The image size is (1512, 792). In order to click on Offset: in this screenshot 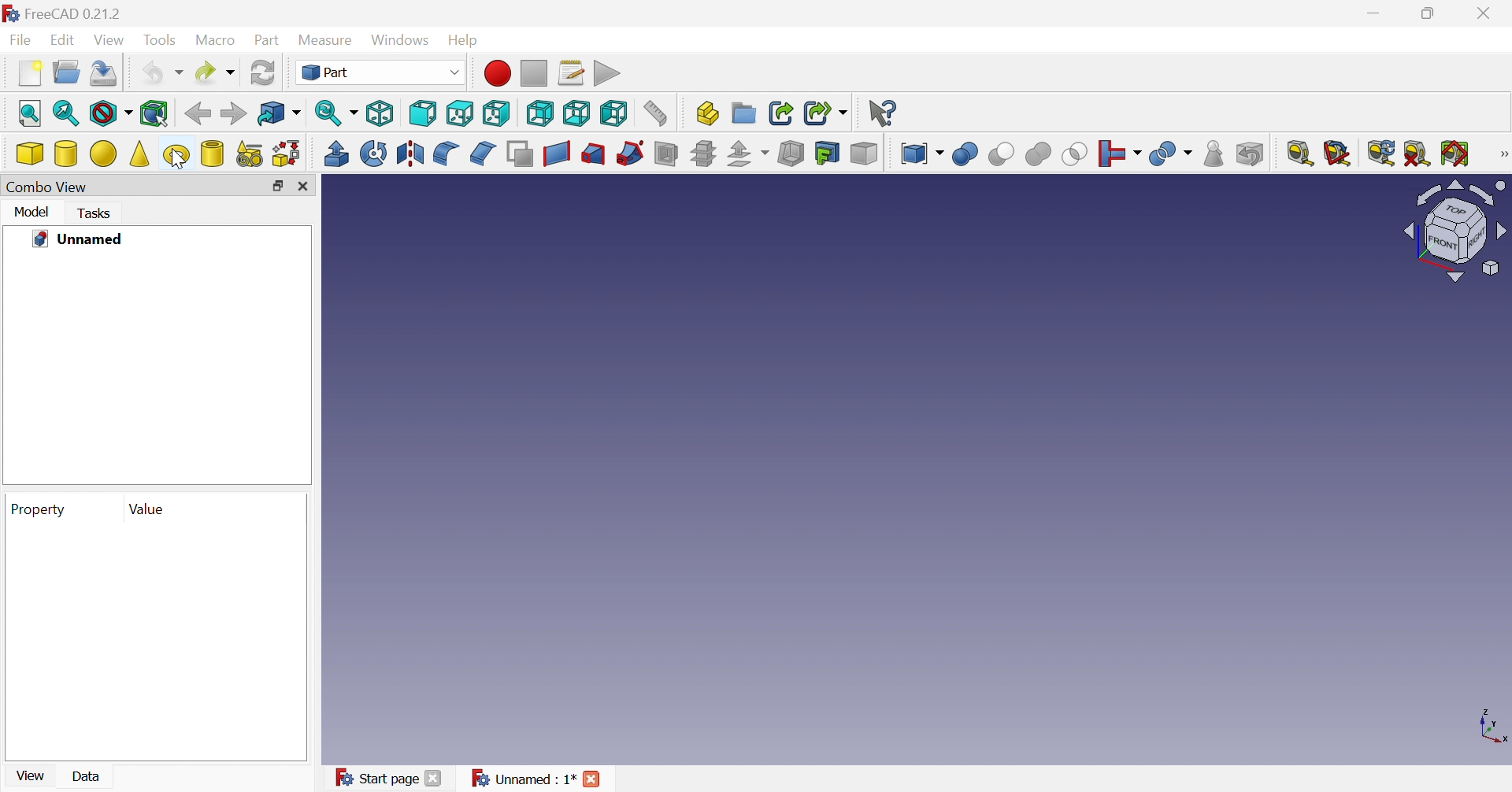, I will do `click(747, 154)`.